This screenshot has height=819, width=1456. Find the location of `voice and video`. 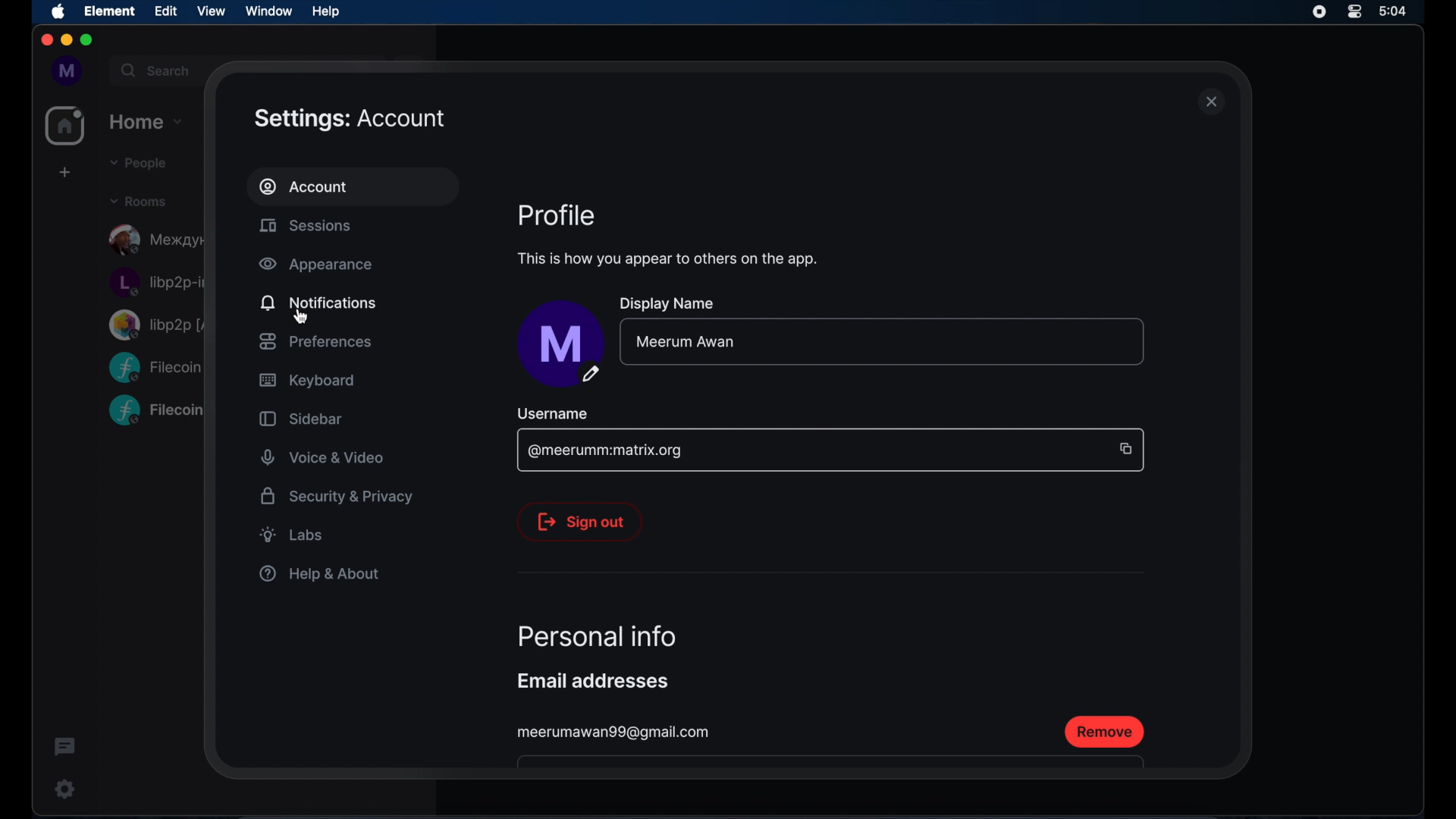

voice and video is located at coordinates (323, 458).